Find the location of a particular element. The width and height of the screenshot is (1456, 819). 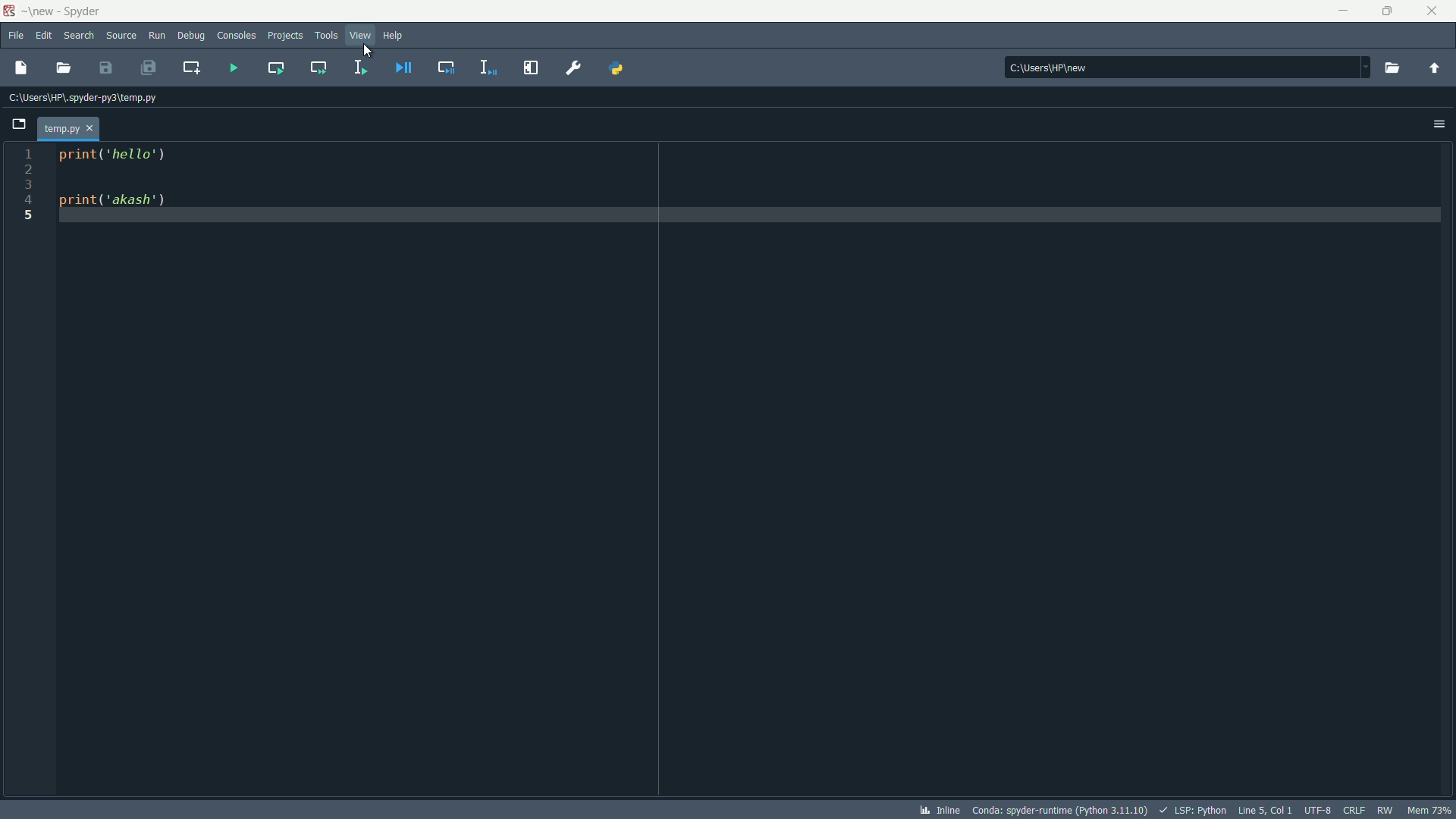

crlf is located at coordinates (1355, 810).